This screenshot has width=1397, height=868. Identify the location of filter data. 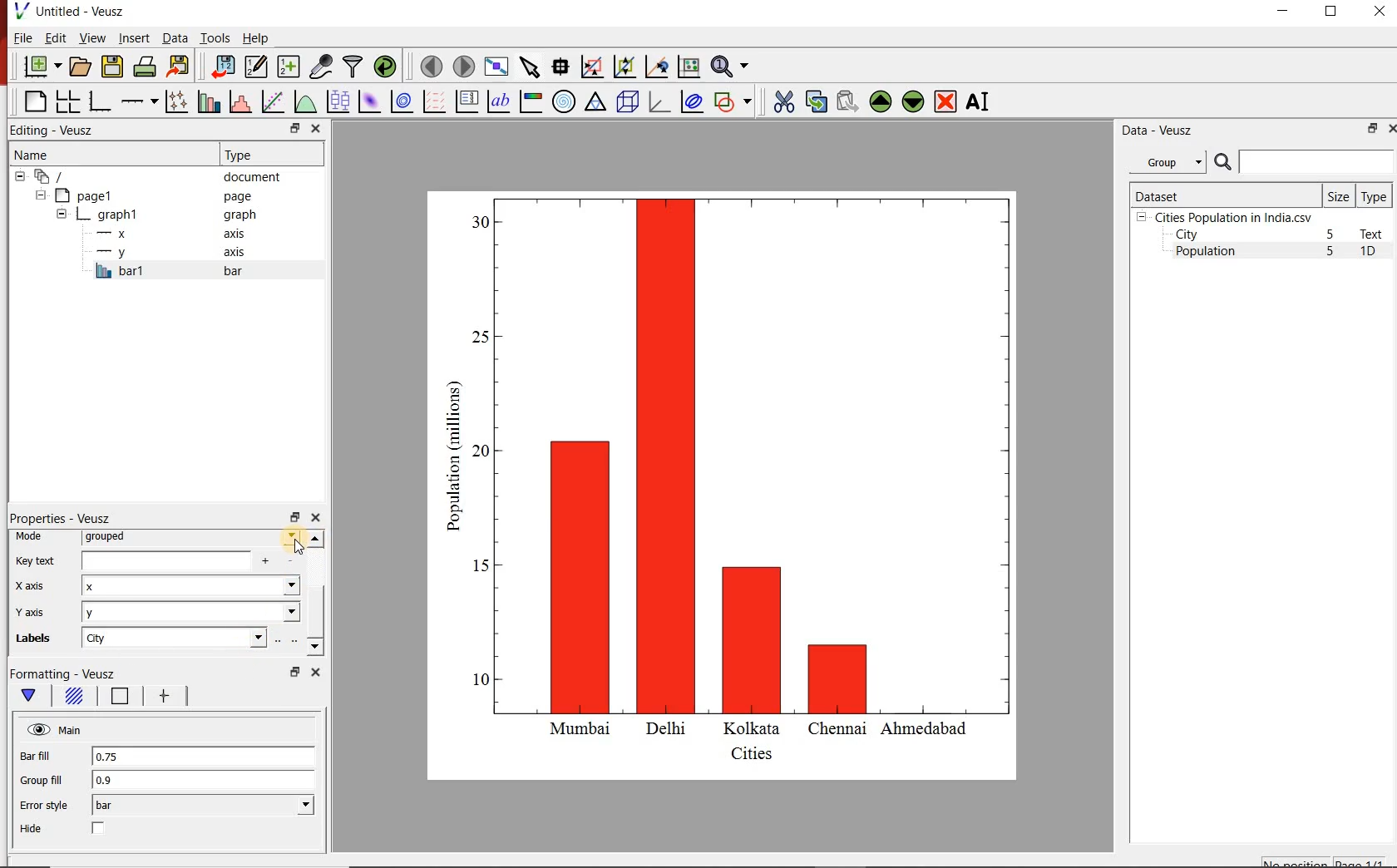
(353, 67).